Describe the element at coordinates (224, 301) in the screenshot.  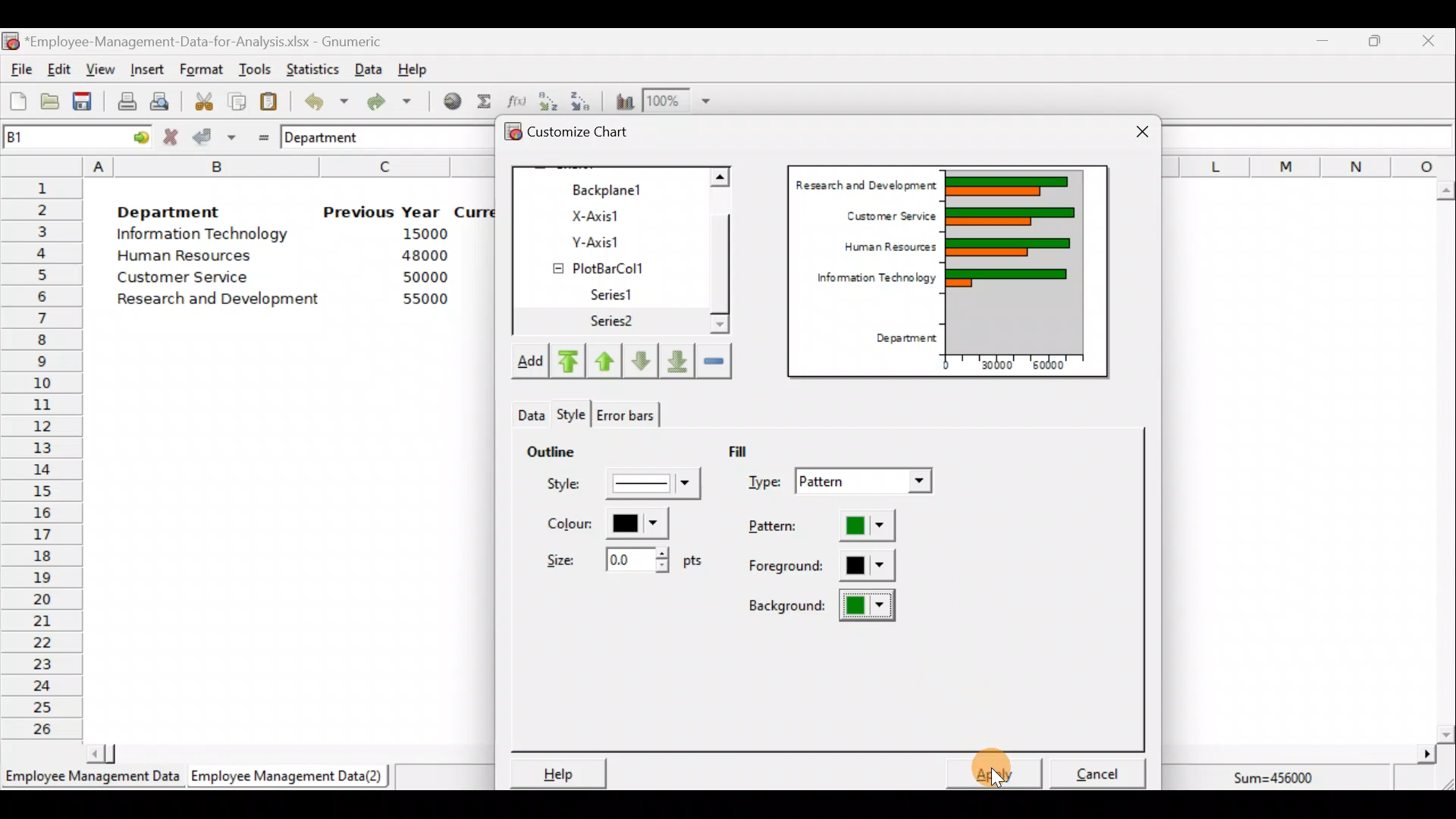
I see `Research and Development` at that location.